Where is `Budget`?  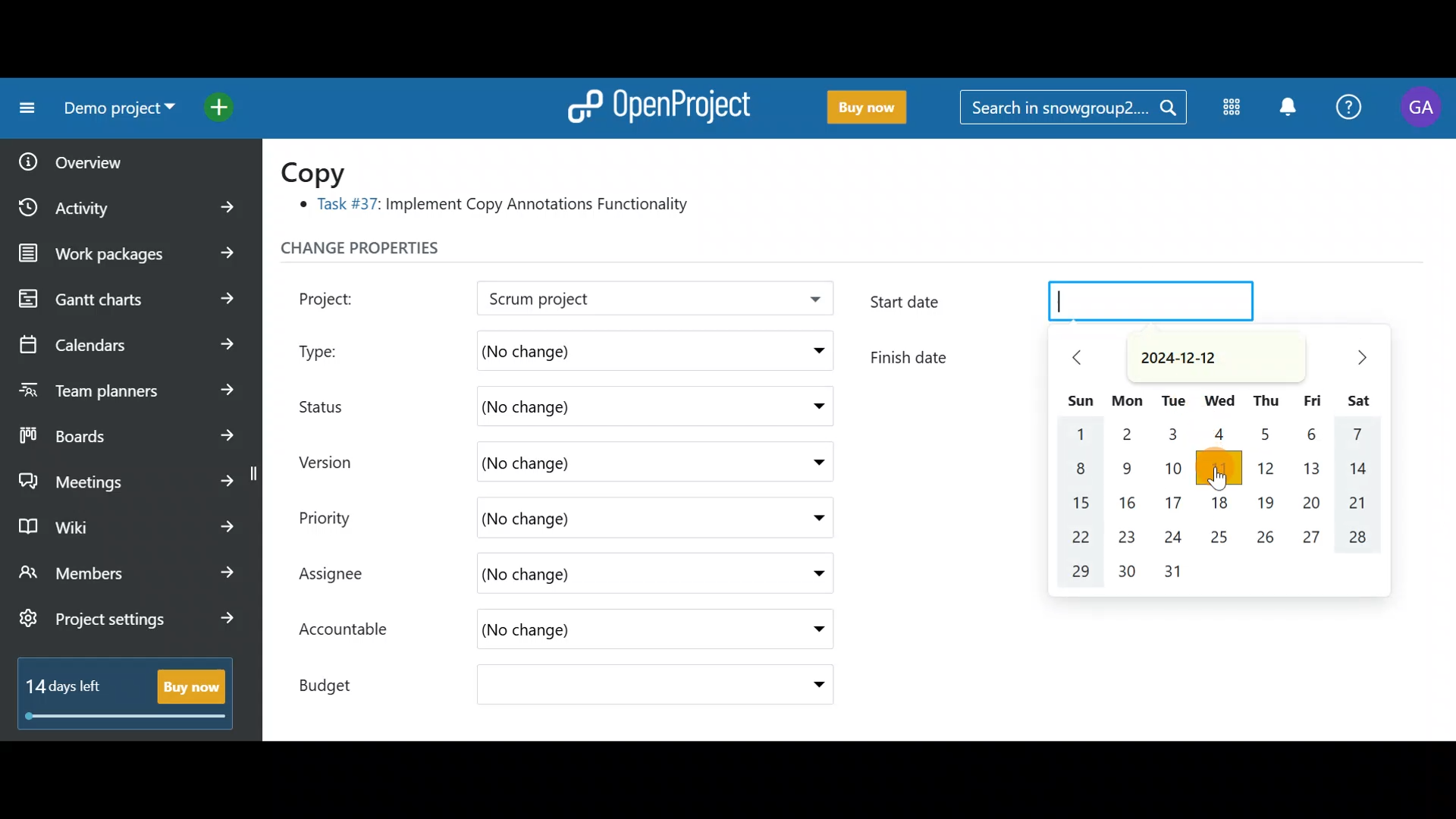
Budget is located at coordinates (340, 681).